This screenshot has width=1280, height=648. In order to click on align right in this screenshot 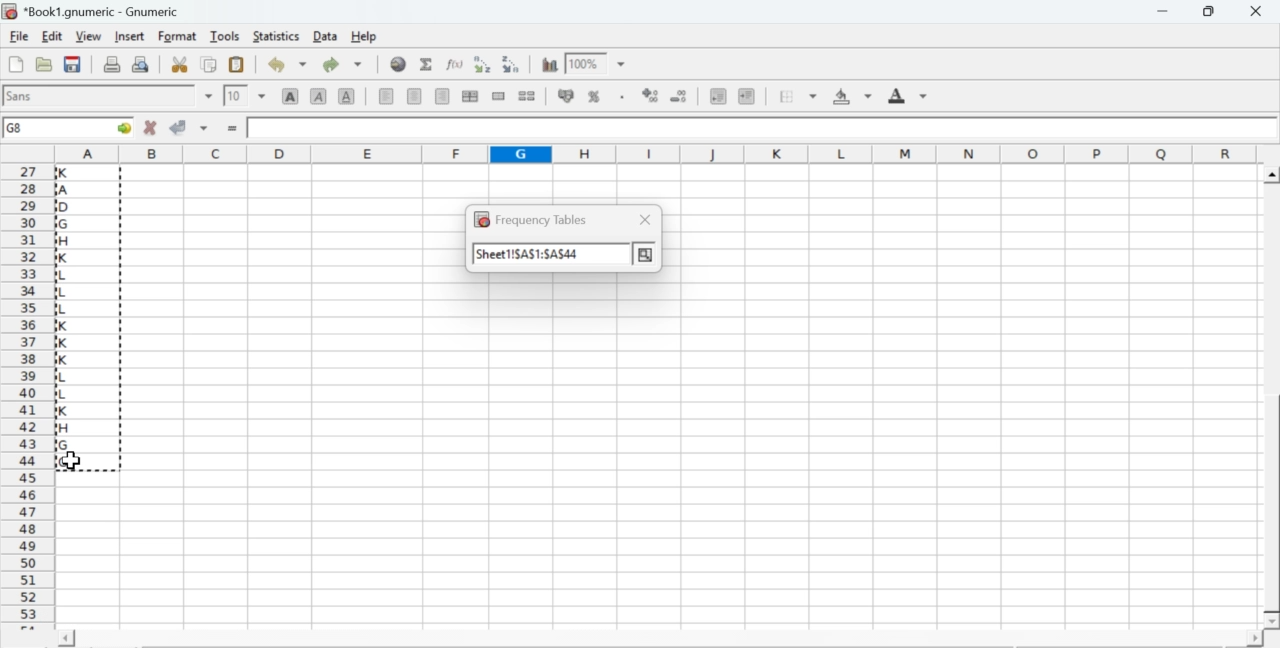, I will do `click(442, 97)`.